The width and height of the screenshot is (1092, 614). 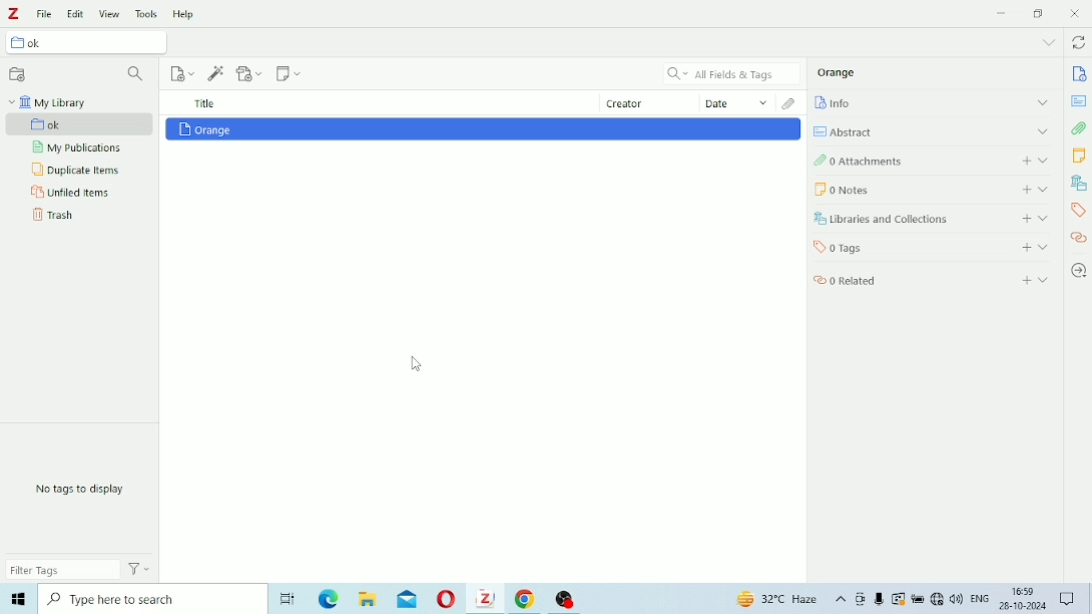 What do you see at coordinates (45, 14) in the screenshot?
I see `File` at bounding box center [45, 14].